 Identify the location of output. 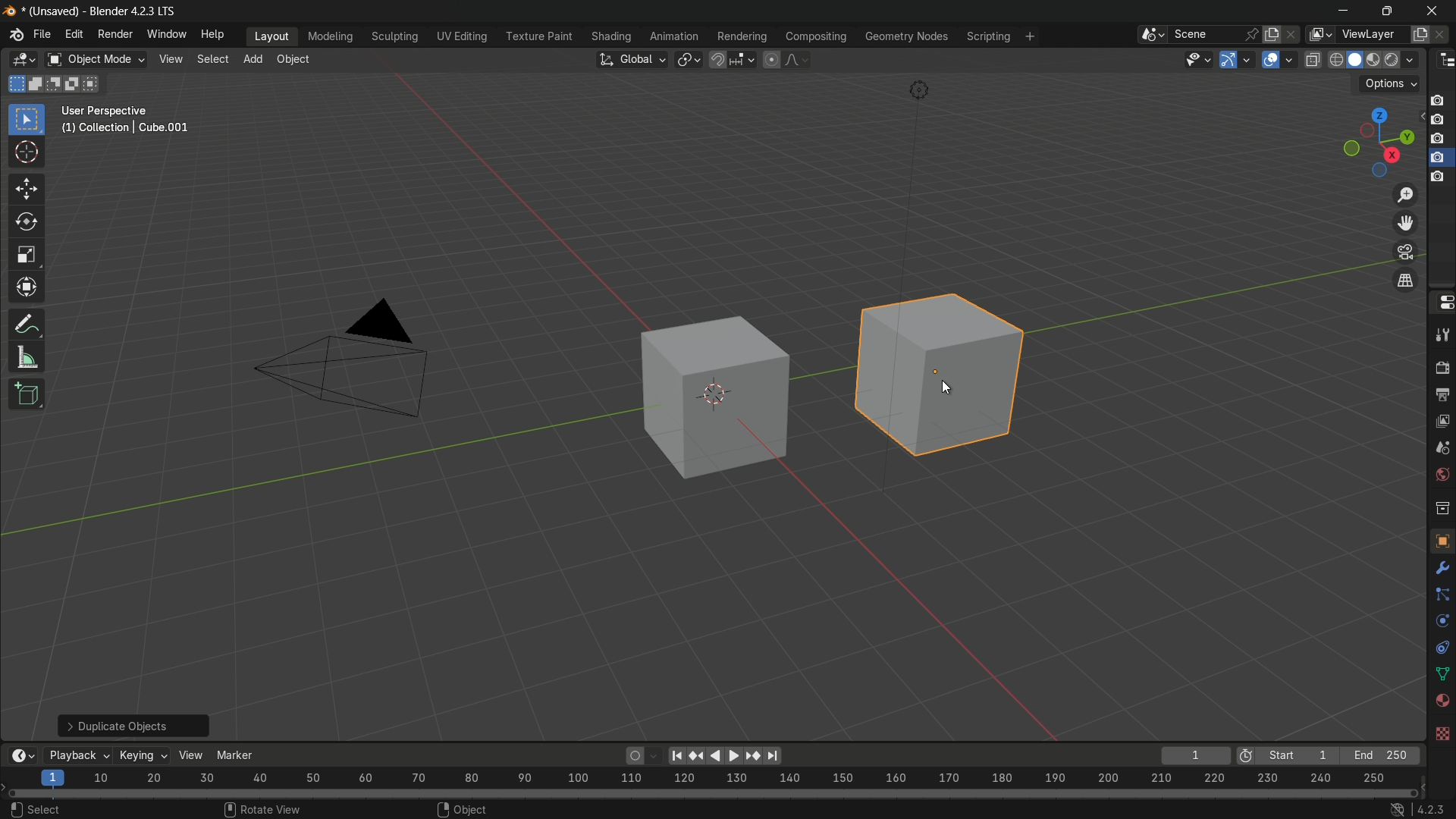
(1442, 394).